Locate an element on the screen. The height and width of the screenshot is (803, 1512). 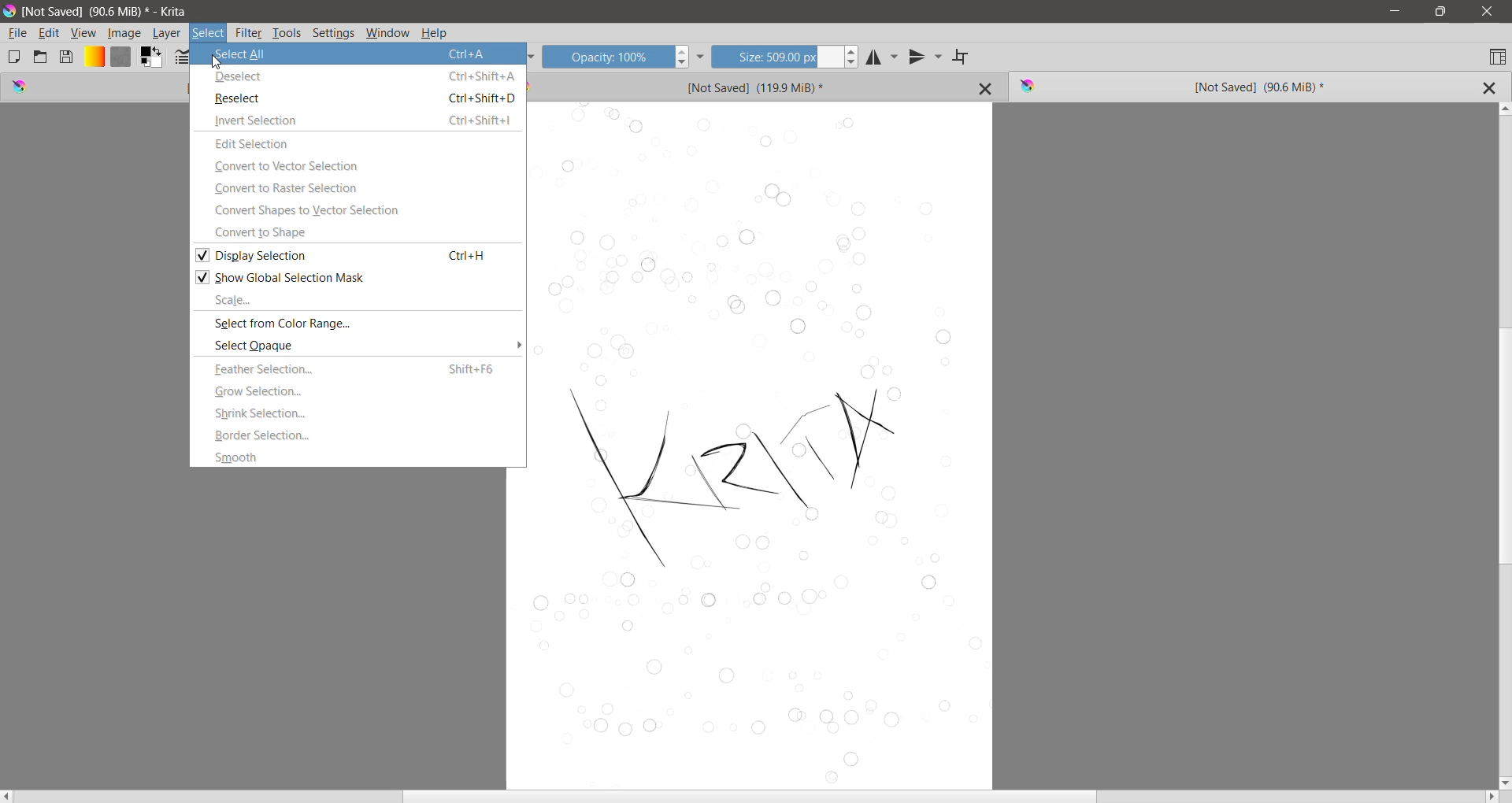
Canvas is located at coordinates (764, 446).